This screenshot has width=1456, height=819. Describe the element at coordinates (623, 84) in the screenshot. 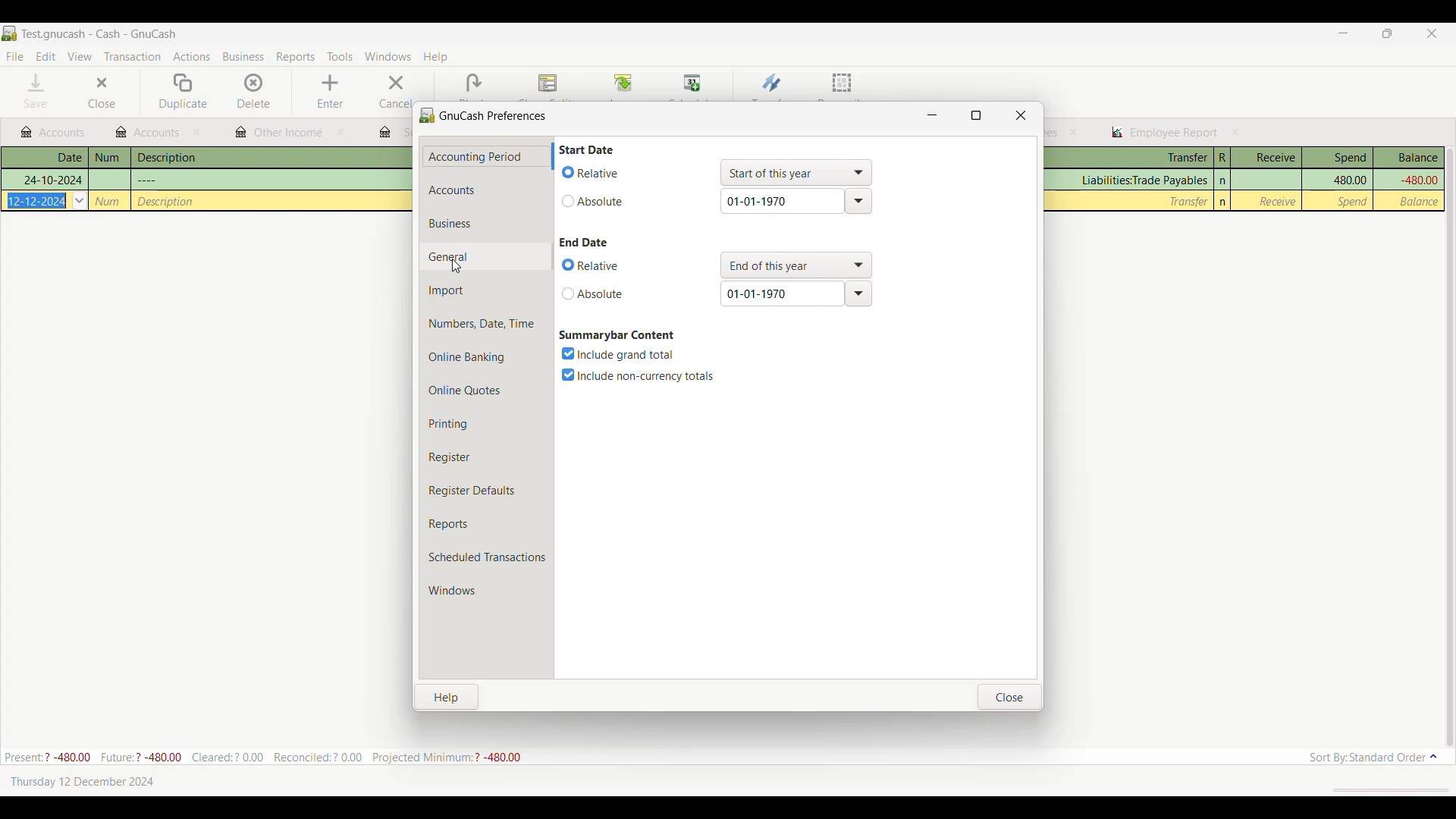

I see `Jump` at that location.